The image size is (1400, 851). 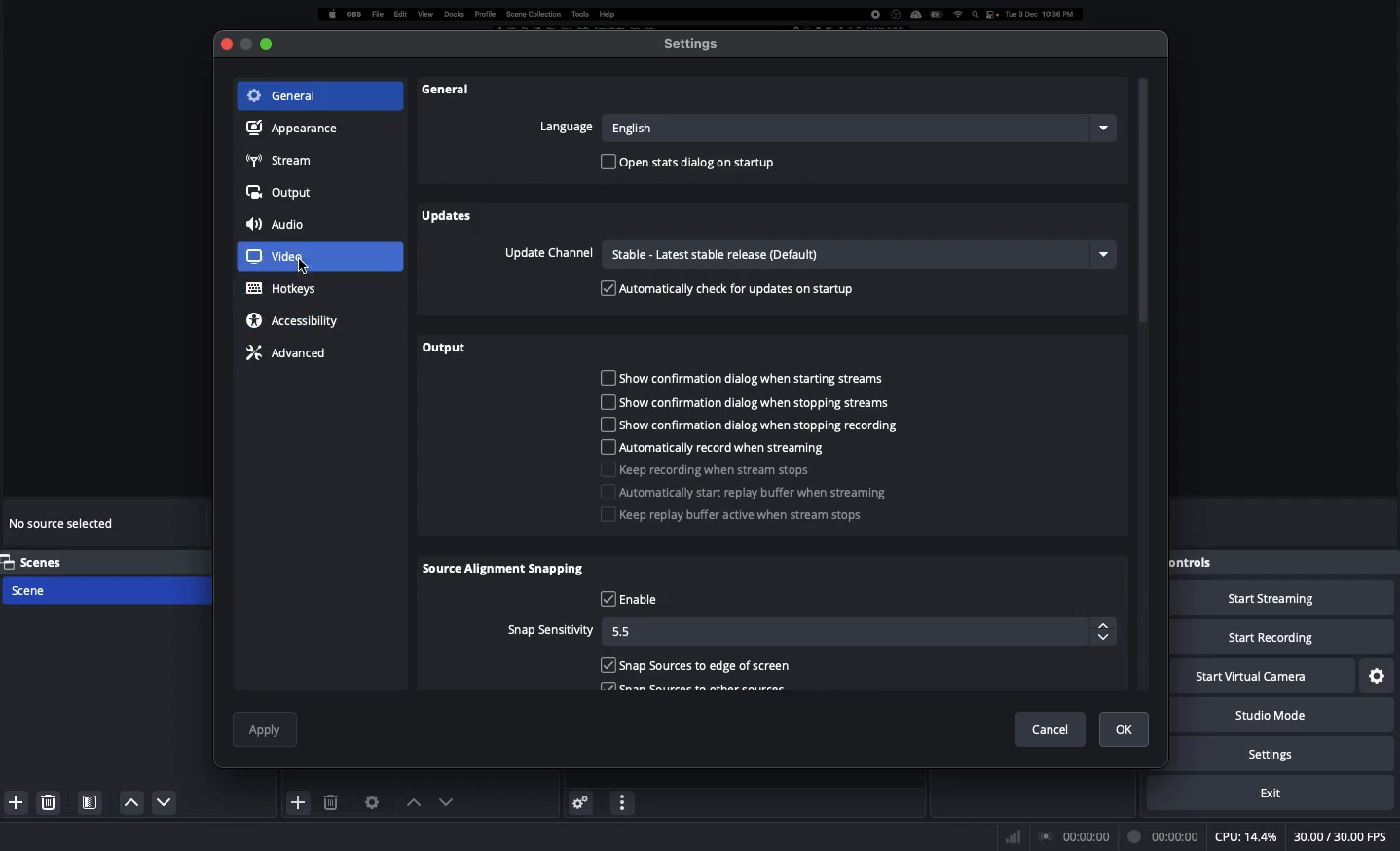 What do you see at coordinates (444, 801) in the screenshot?
I see `Move down` at bounding box center [444, 801].